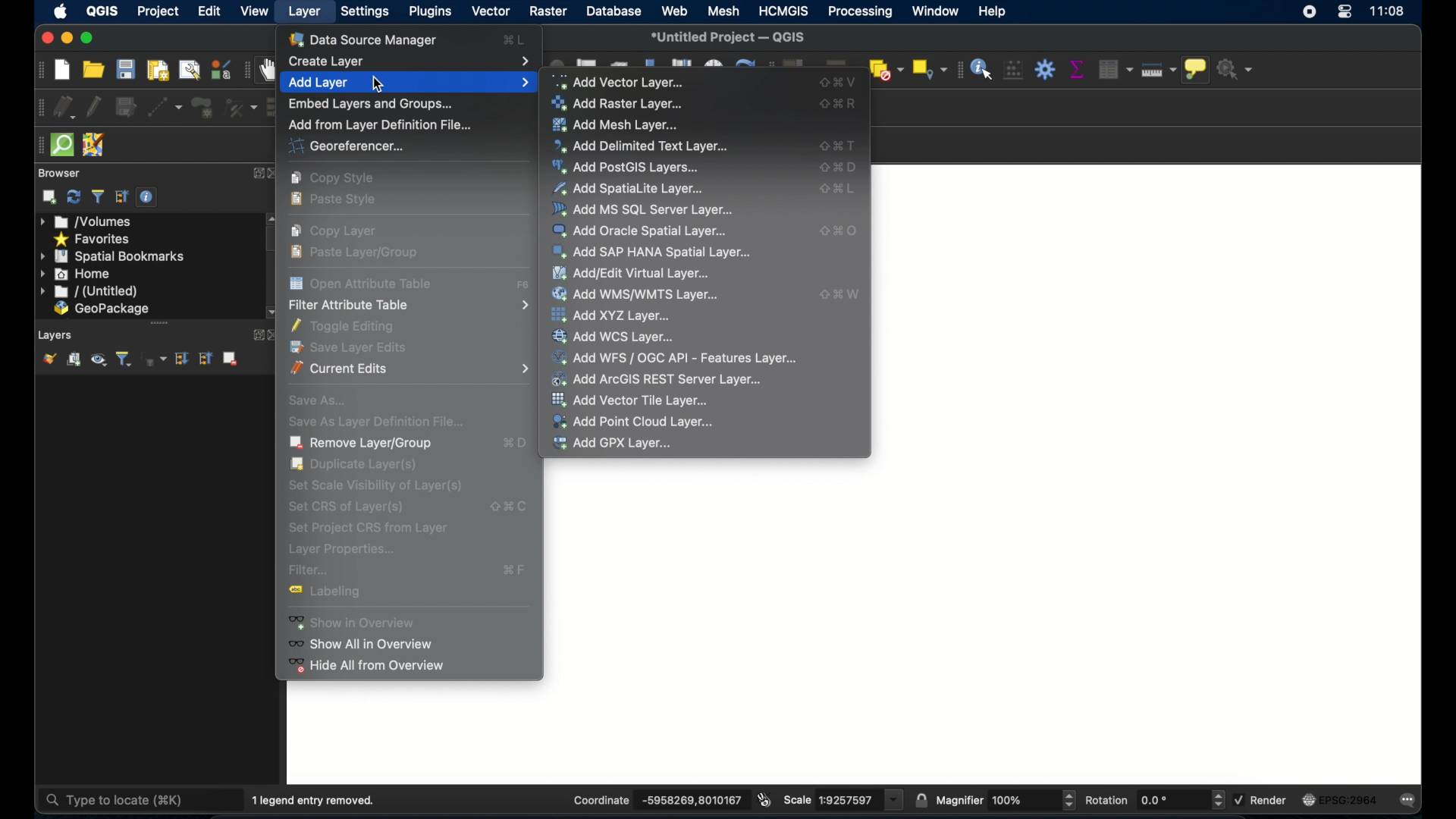  Describe the element at coordinates (689, 800) in the screenshot. I see `coordinate` at that location.